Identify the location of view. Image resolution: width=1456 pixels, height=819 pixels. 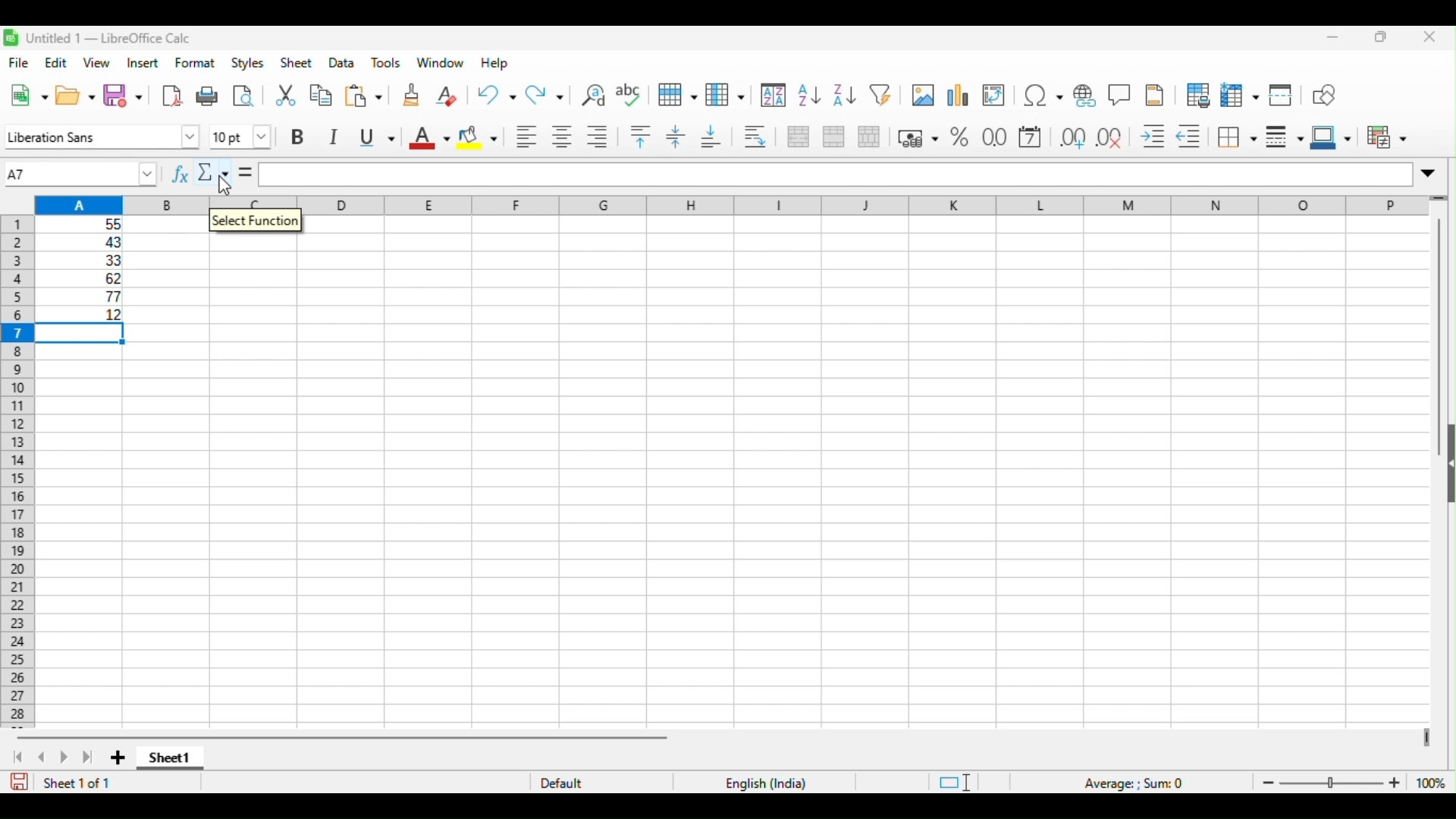
(96, 63).